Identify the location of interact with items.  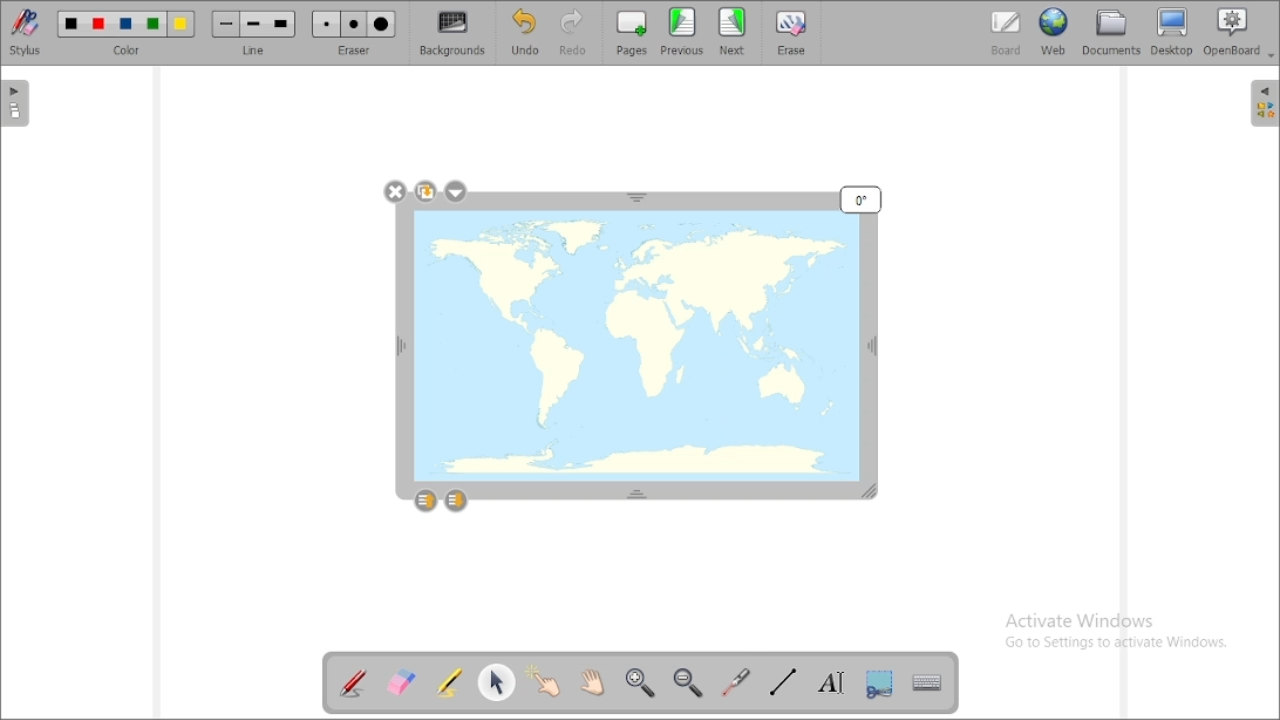
(543, 680).